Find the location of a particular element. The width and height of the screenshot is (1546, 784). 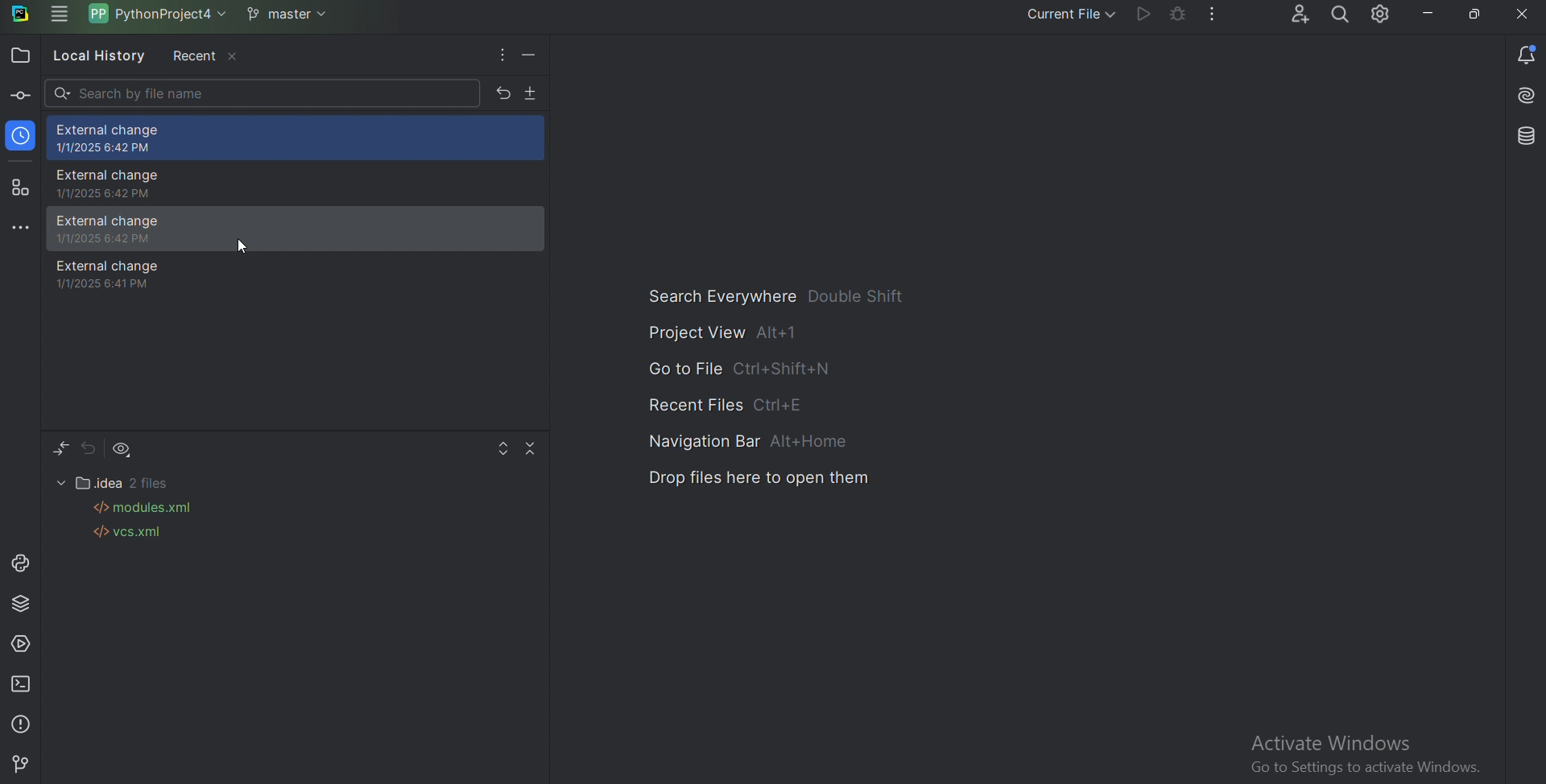

Search Everywhere is located at coordinates (784, 295).